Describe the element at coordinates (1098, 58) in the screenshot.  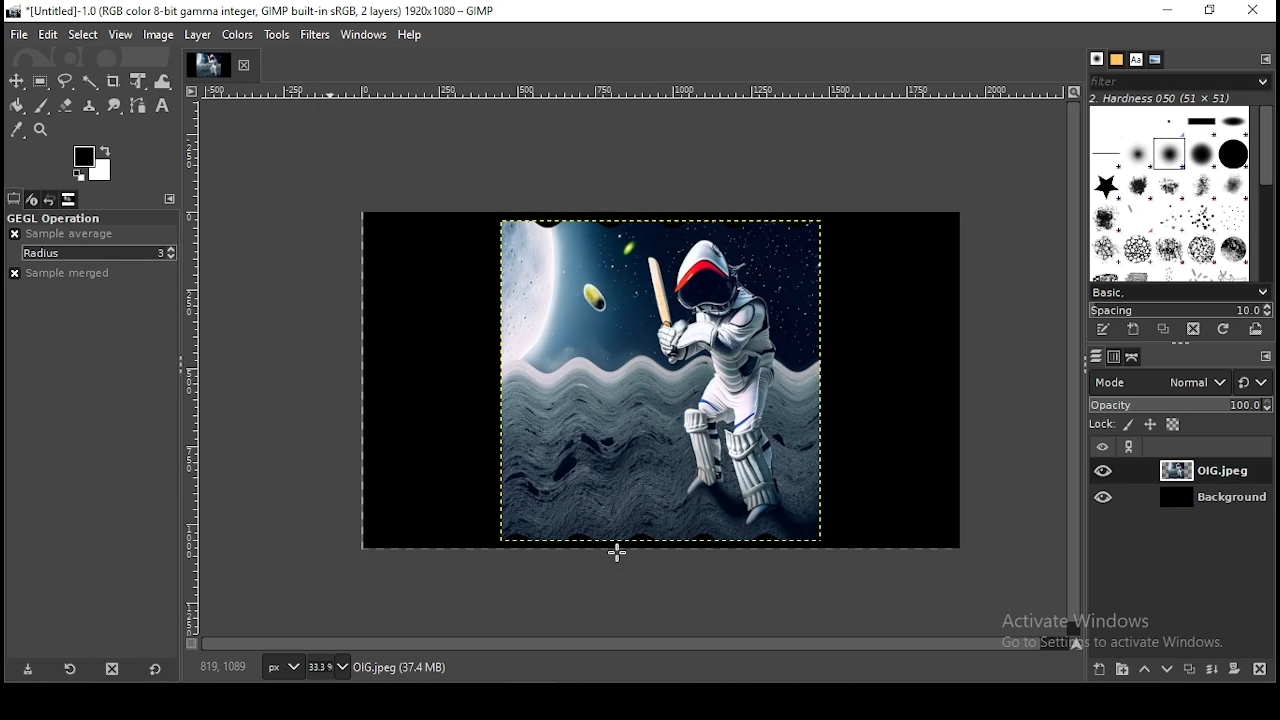
I see `brushes` at that location.